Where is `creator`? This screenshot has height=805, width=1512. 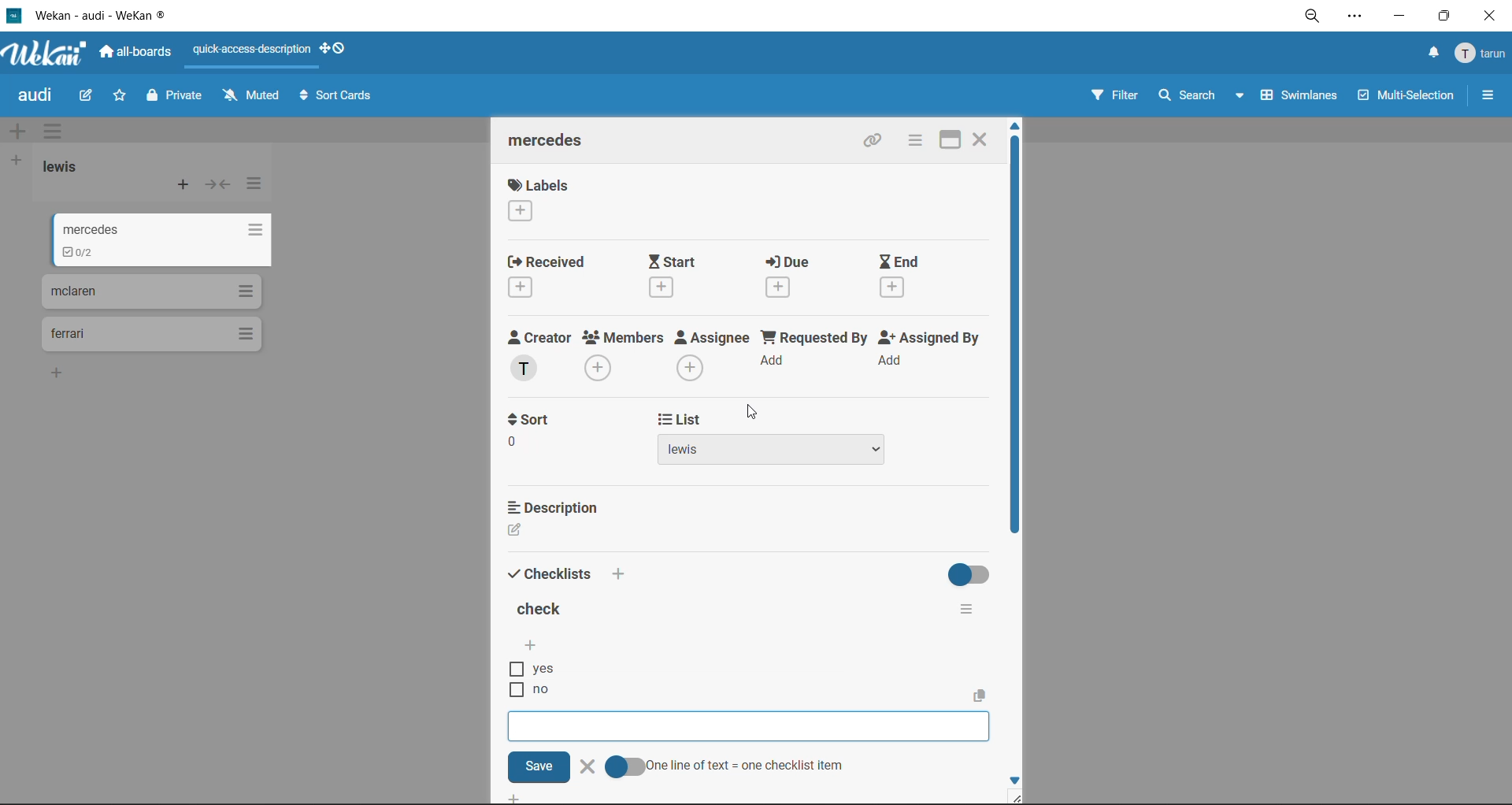
creator is located at coordinates (539, 356).